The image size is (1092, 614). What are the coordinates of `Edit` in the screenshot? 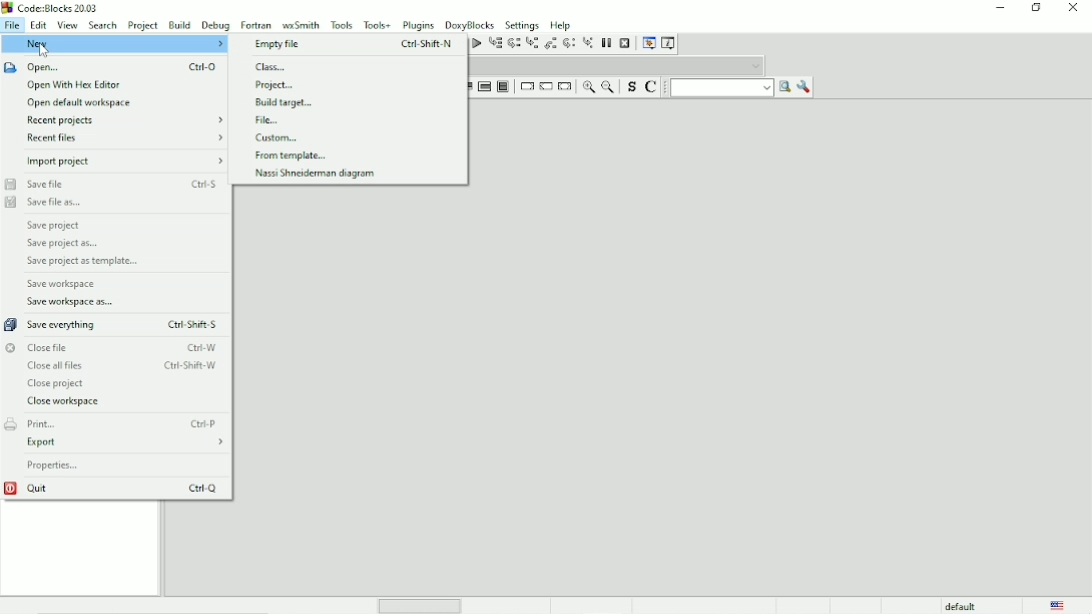 It's located at (38, 25).